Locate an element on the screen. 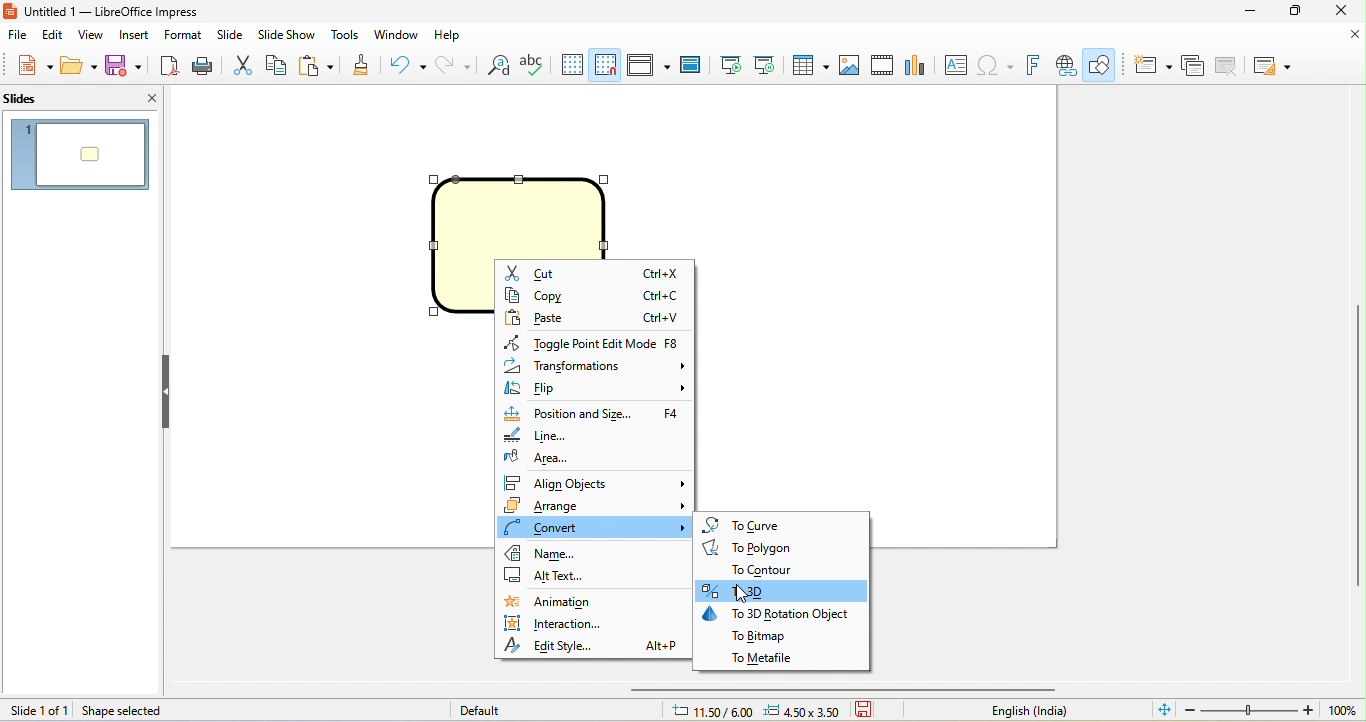 Image resolution: width=1366 pixels, height=722 pixels. convert is located at coordinates (593, 529).